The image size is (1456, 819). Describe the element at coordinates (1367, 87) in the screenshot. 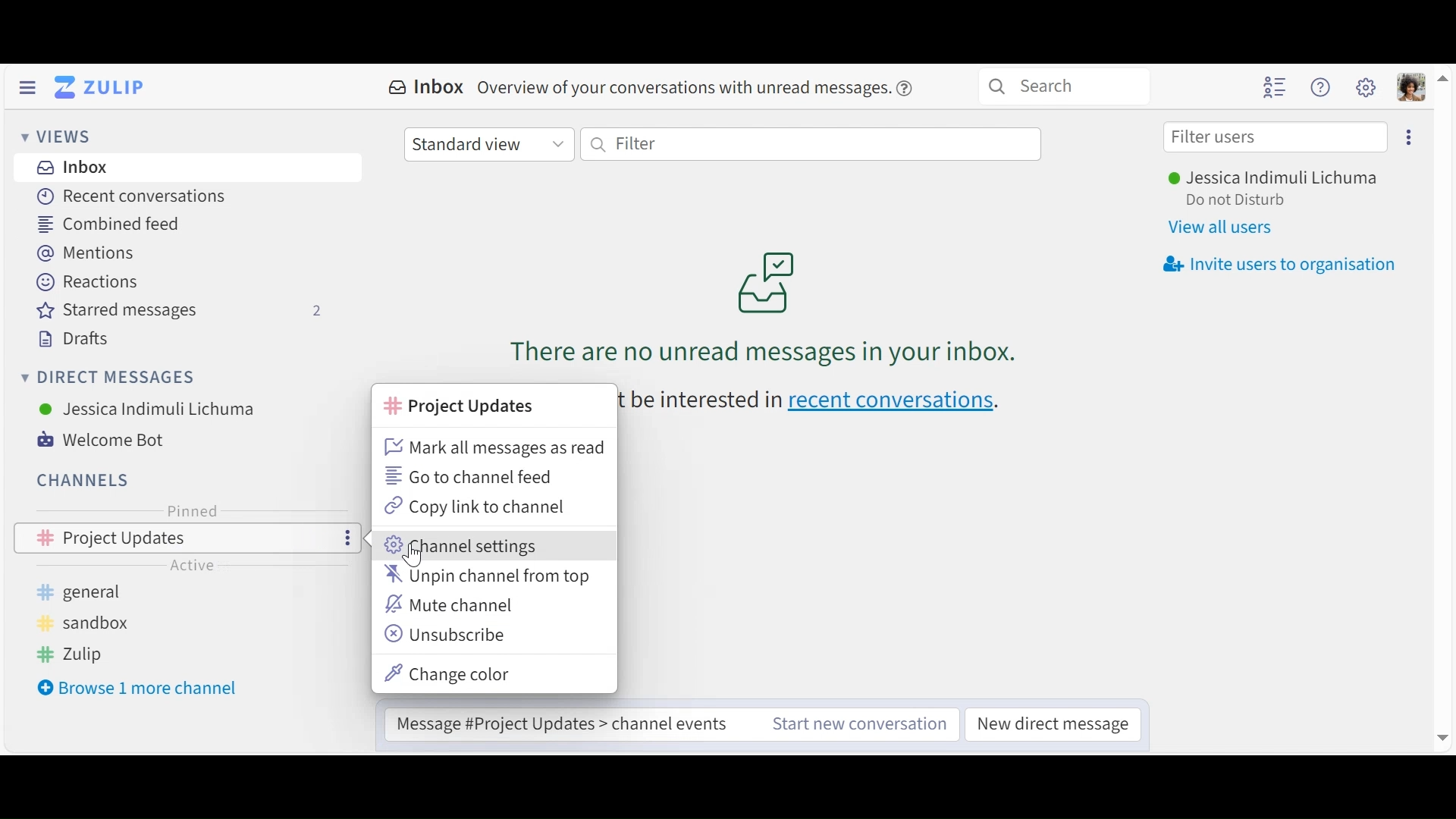

I see `Main menu` at that location.